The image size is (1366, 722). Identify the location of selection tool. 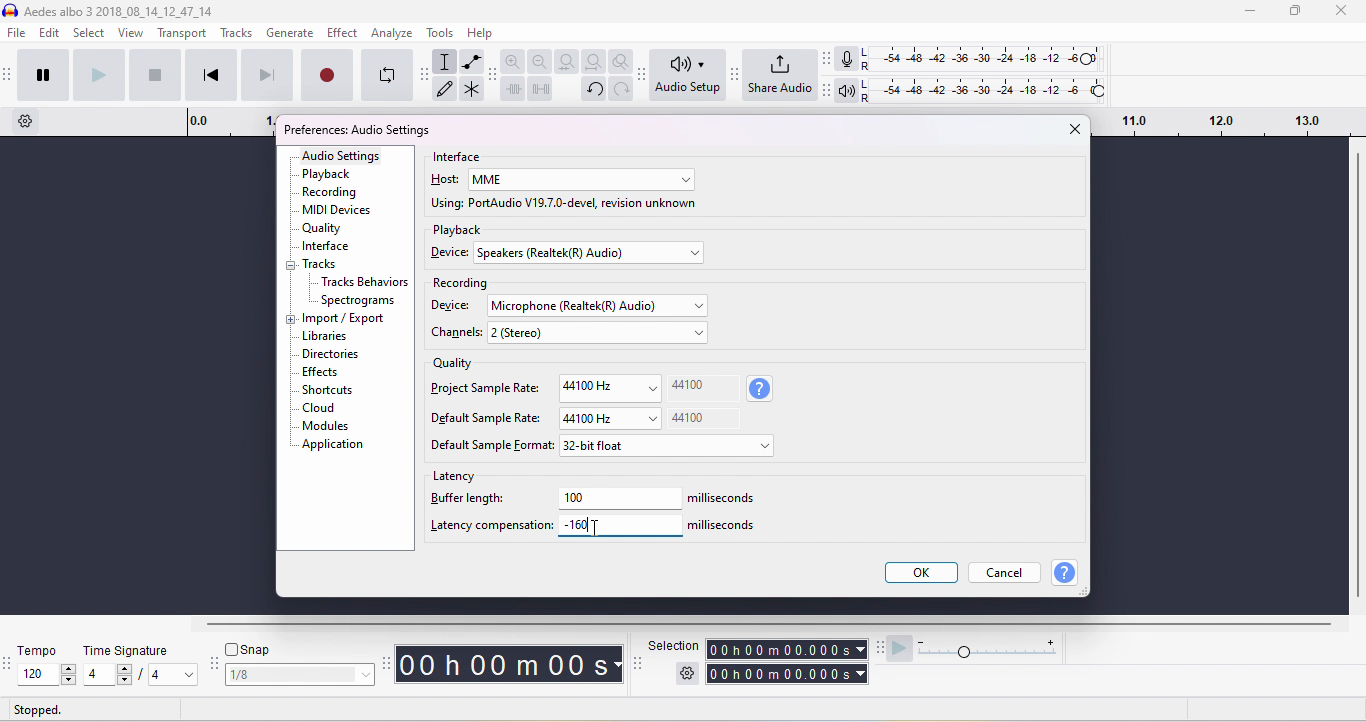
(446, 61).